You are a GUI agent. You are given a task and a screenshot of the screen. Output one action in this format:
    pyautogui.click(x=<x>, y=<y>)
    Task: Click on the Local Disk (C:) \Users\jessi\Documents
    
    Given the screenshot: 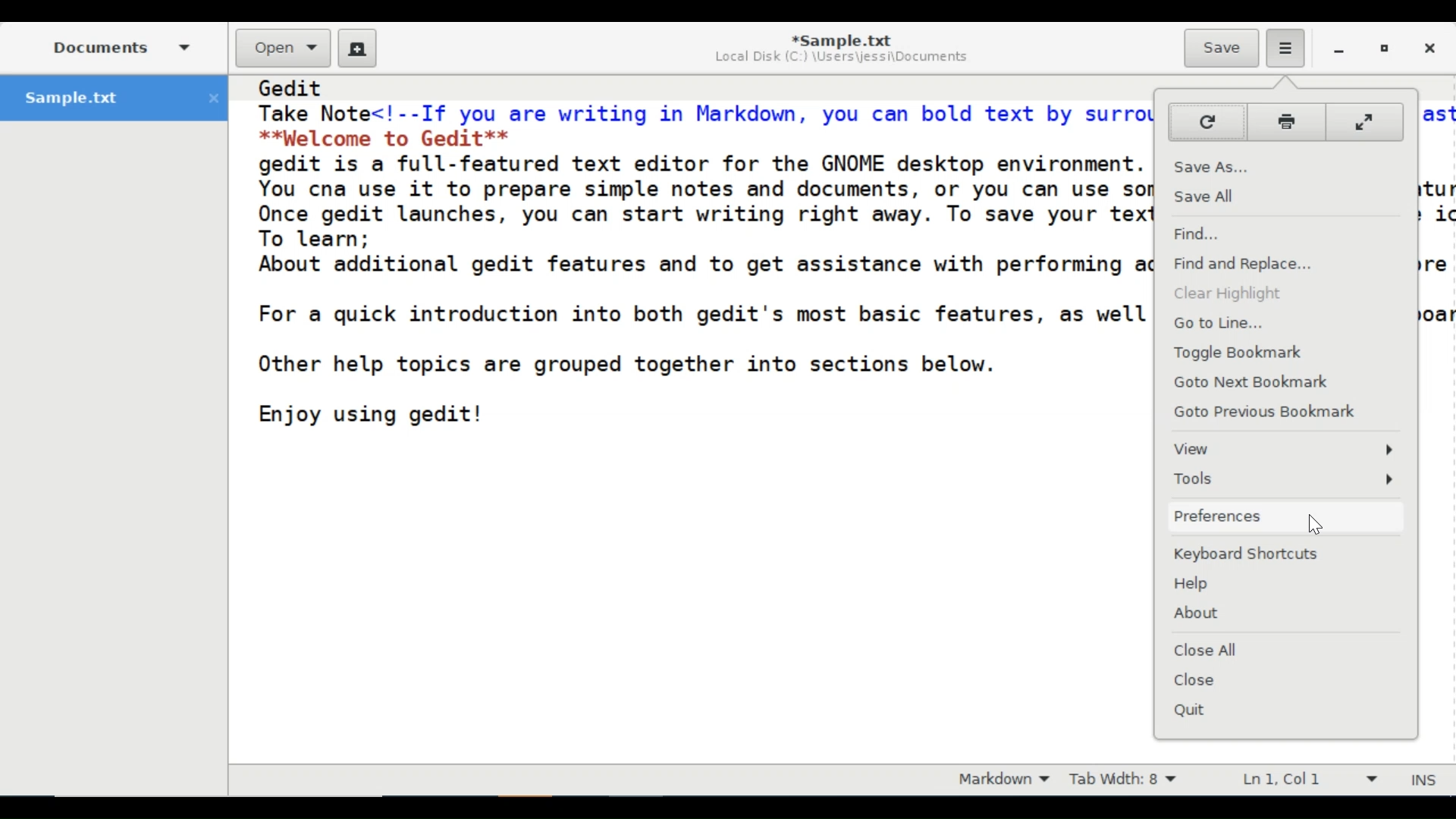 What is the action you would take?
    pyautogui.click(x=840, y=58)
    